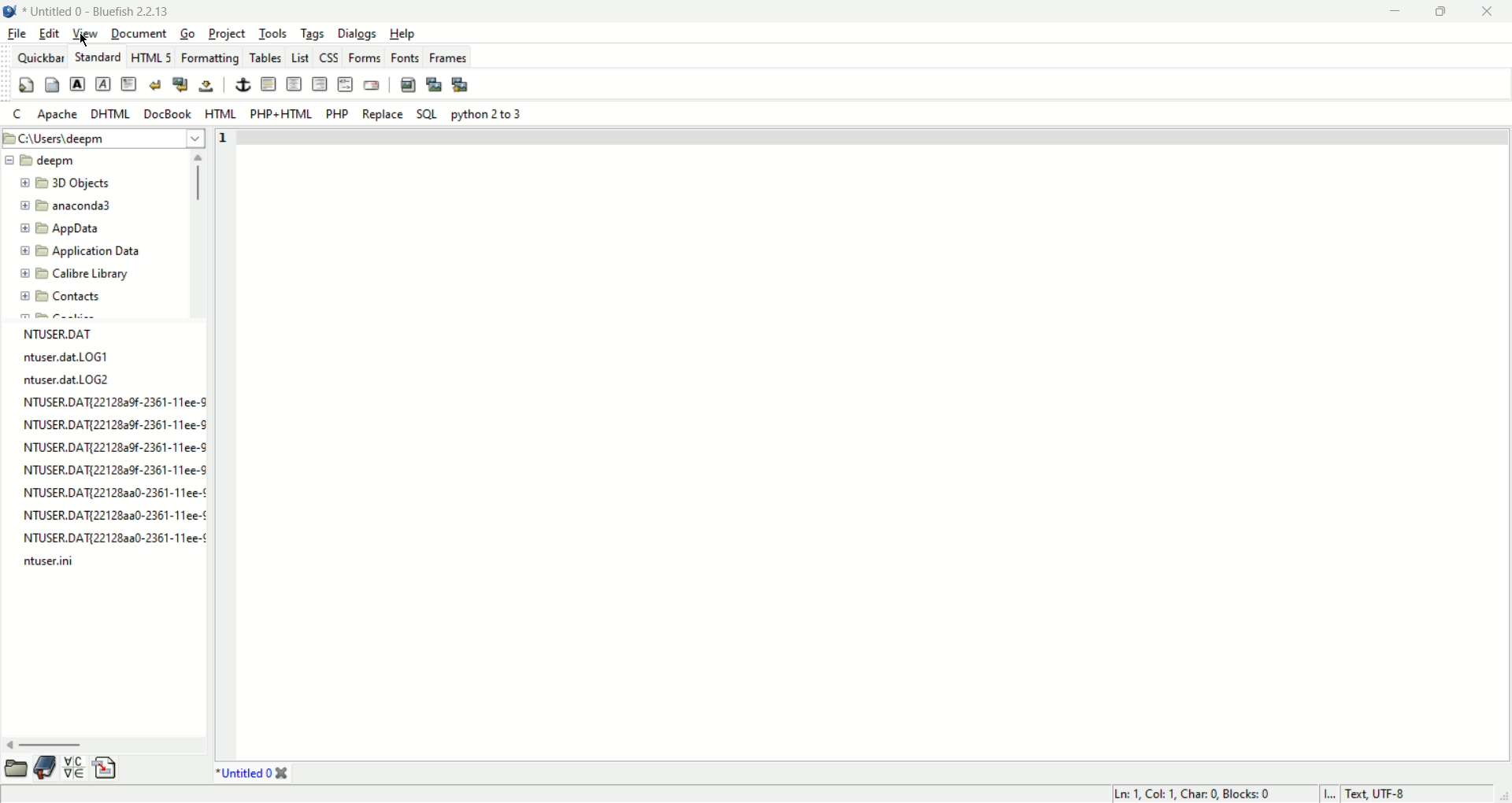  What do you see at coordinates (17, 113) in the screenshot?
I see `C` at bounding box center [17, 113].